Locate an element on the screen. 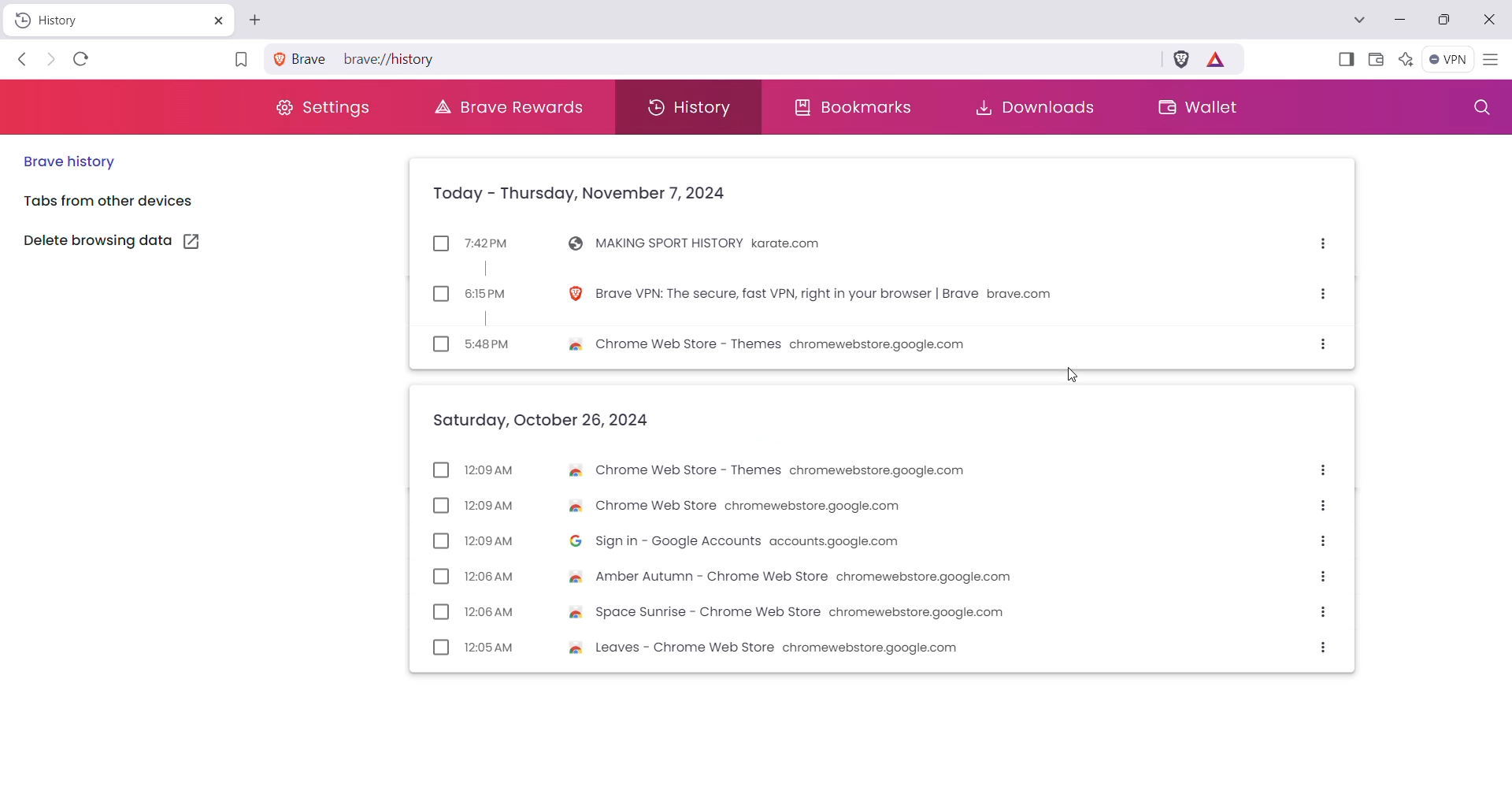 The image size is (1512, 802). Space Sunrise - Chrome Web Store chromewebstore.google.com is located at coordinates (784, 615).